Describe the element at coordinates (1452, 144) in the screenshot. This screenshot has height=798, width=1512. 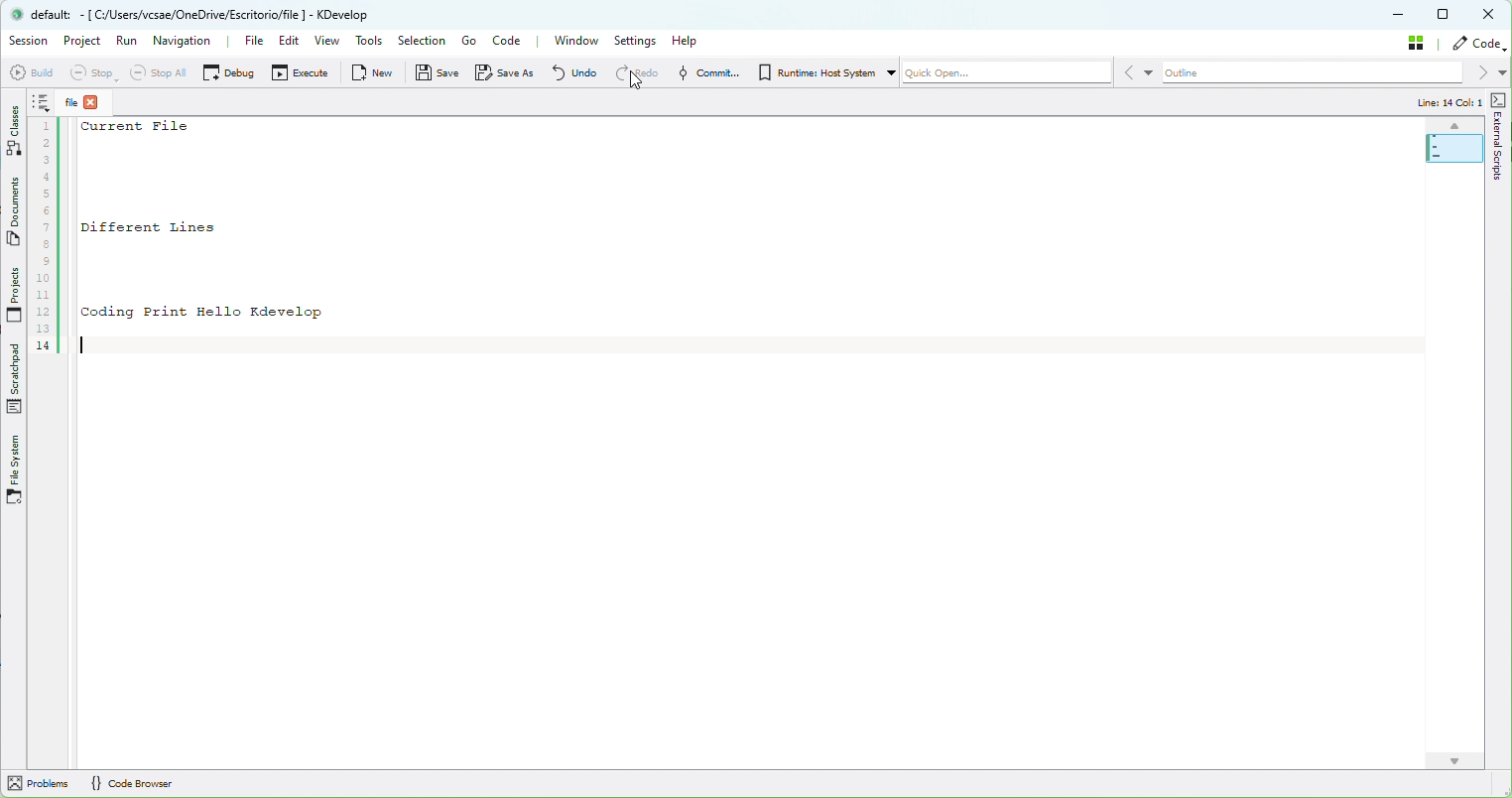
I see `Map` at that location.